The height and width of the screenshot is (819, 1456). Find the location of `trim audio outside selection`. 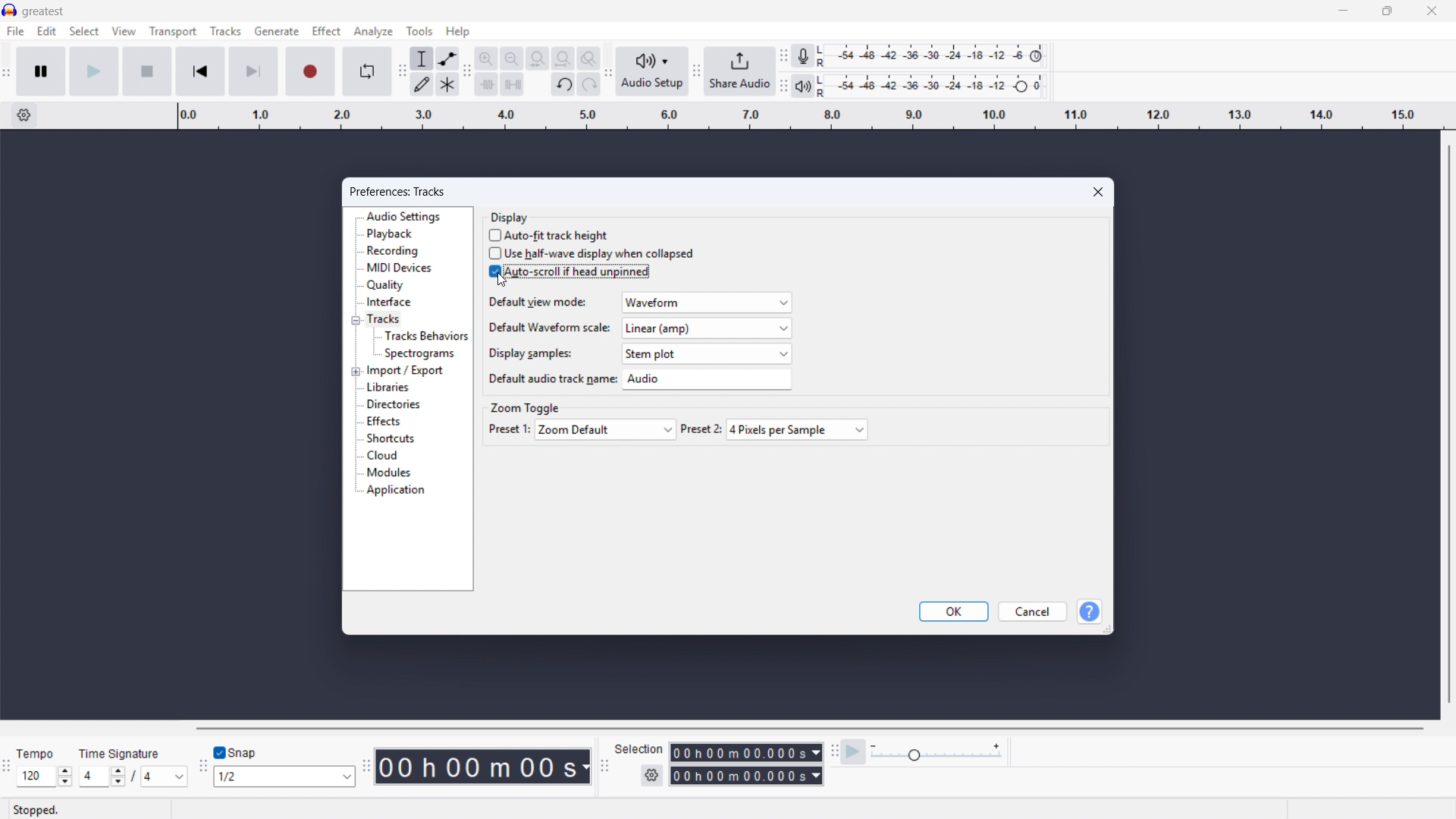

trim audio outside selection is located at coordinates (487, 84).